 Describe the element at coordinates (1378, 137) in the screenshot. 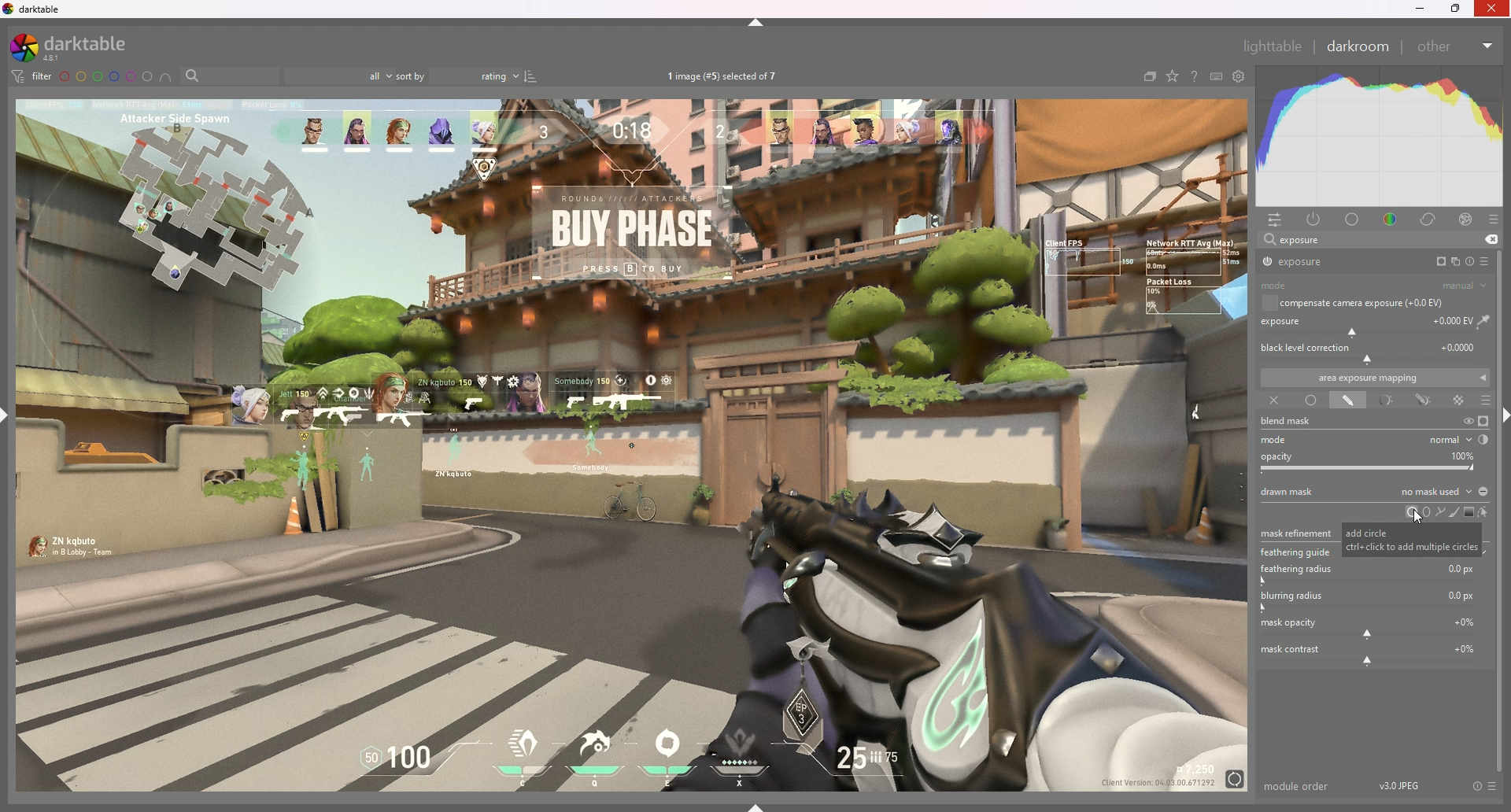

I see `heat graph` at that location.